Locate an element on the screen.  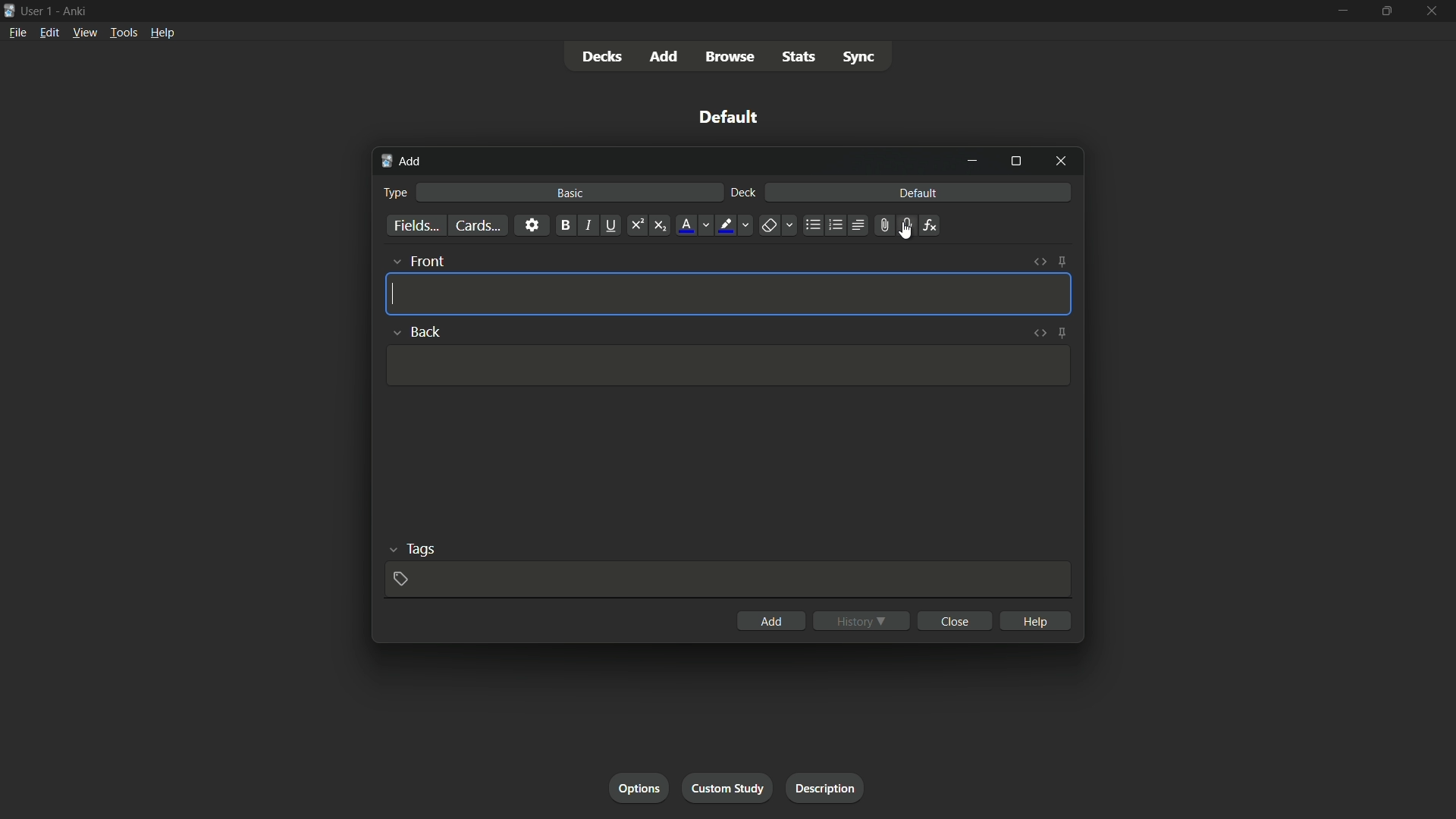
toggle sticky is located at coordinates (1062, 262).